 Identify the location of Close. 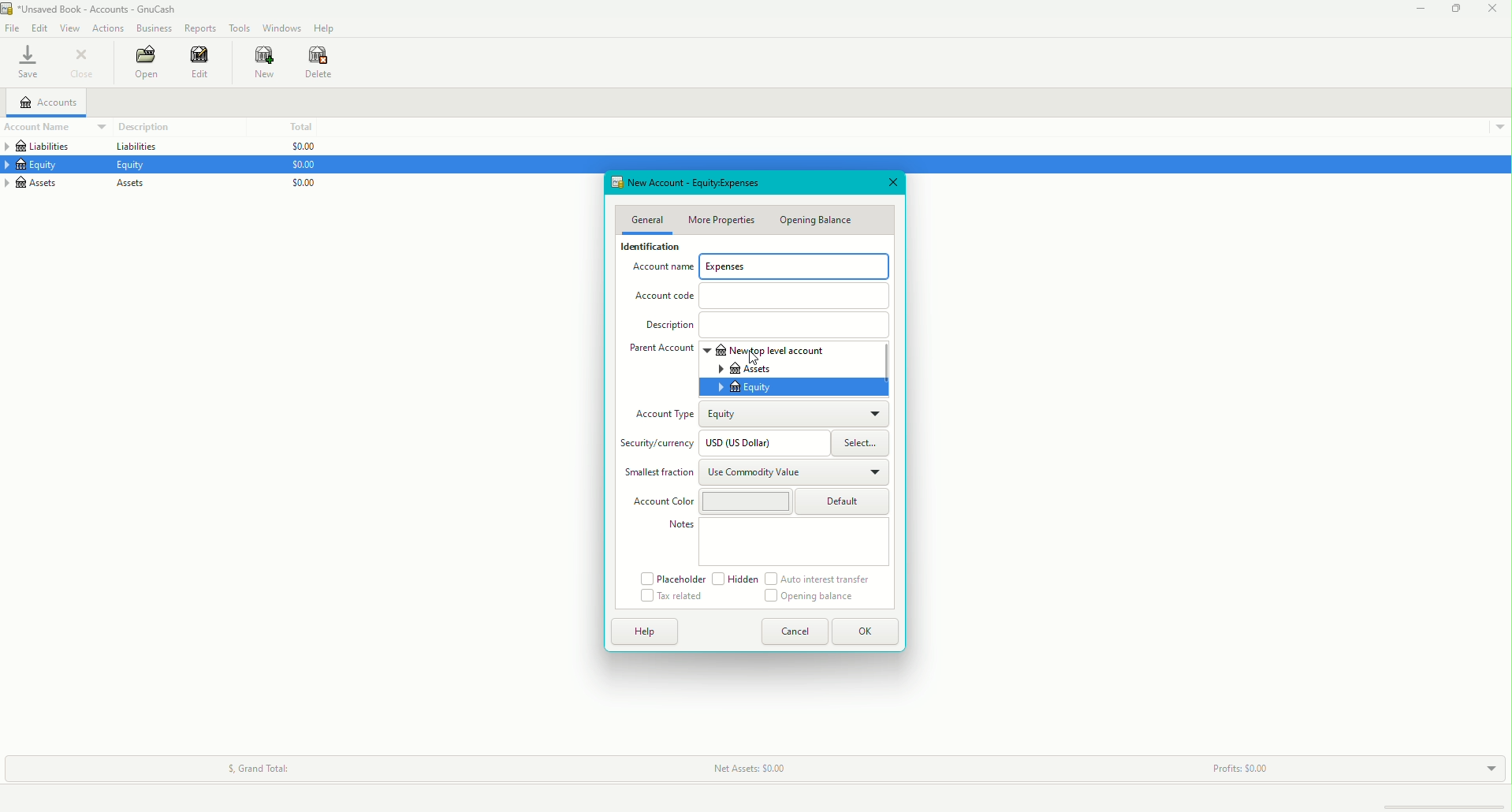
(84, 64).